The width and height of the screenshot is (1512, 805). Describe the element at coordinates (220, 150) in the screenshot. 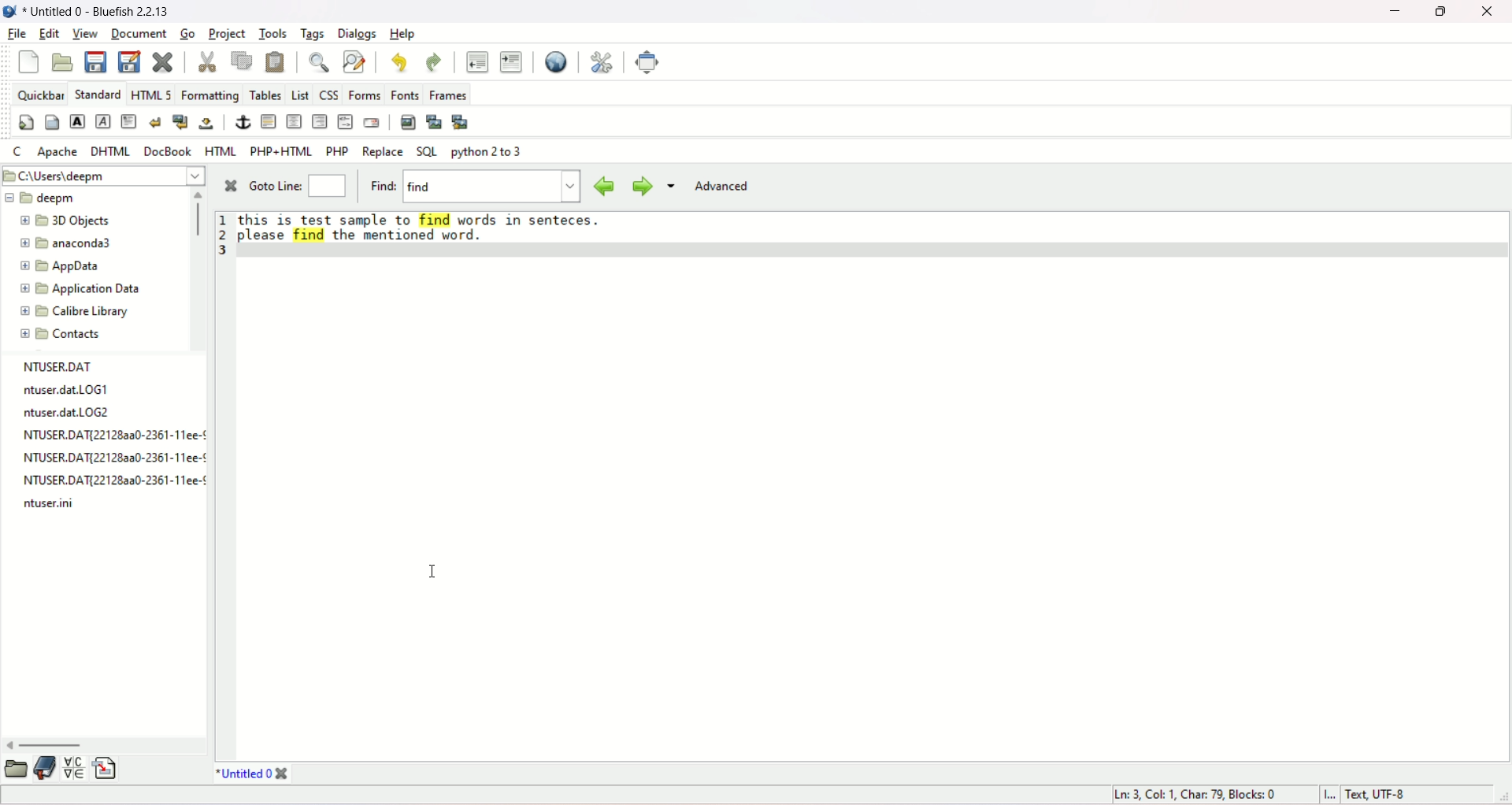

I see `HTML` at that location.